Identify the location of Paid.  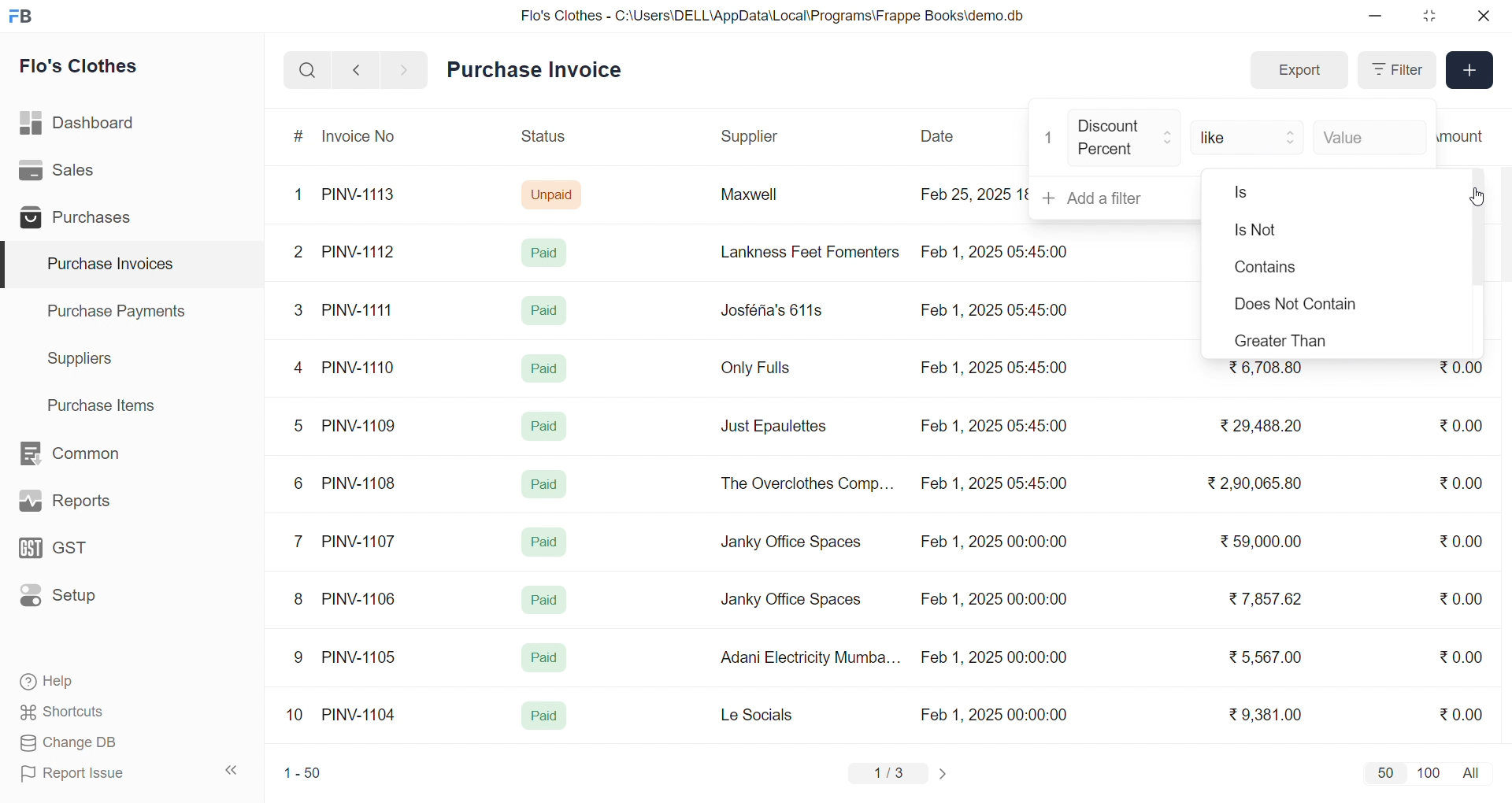
(547, 424).